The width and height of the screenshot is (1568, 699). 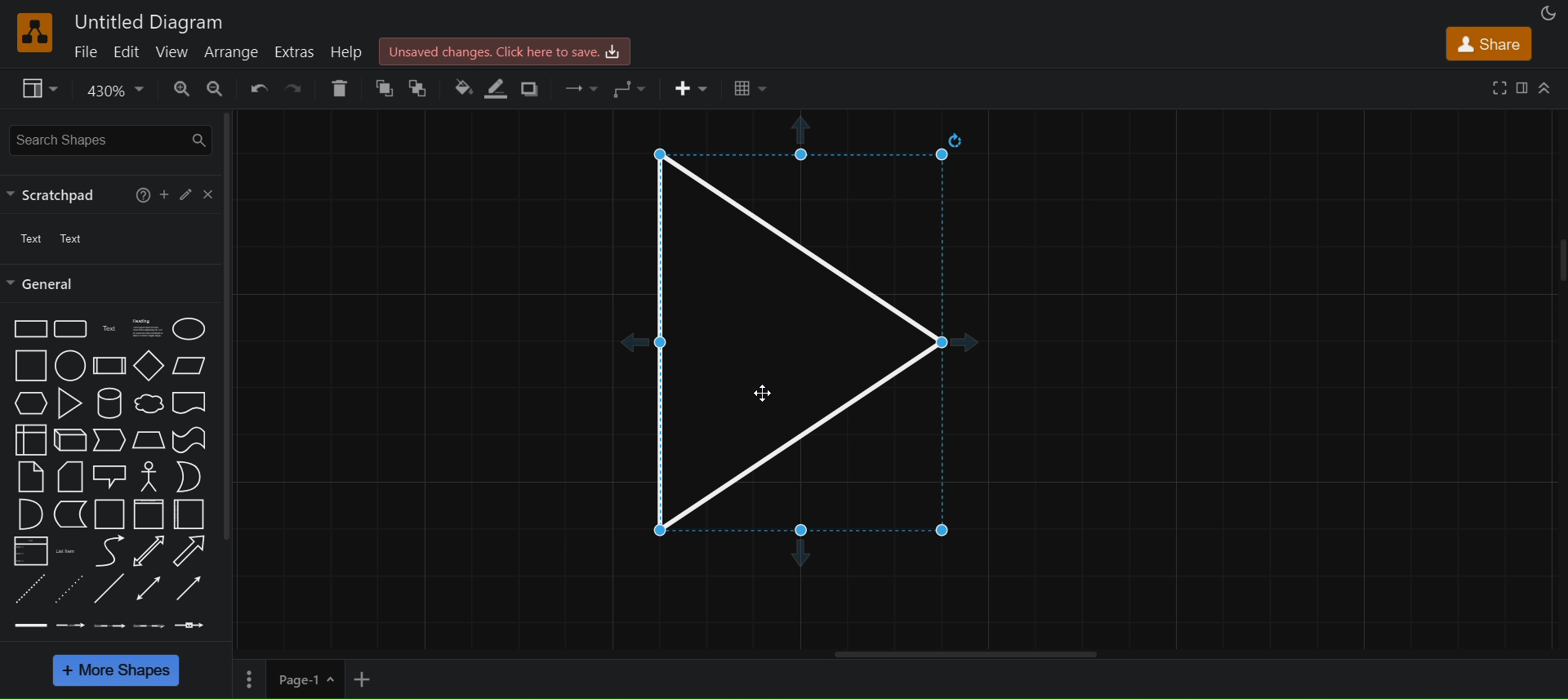 What do you see at coordinates (497, 88) in the screenshot?
I see `line color` at bounding box center [497, 88].